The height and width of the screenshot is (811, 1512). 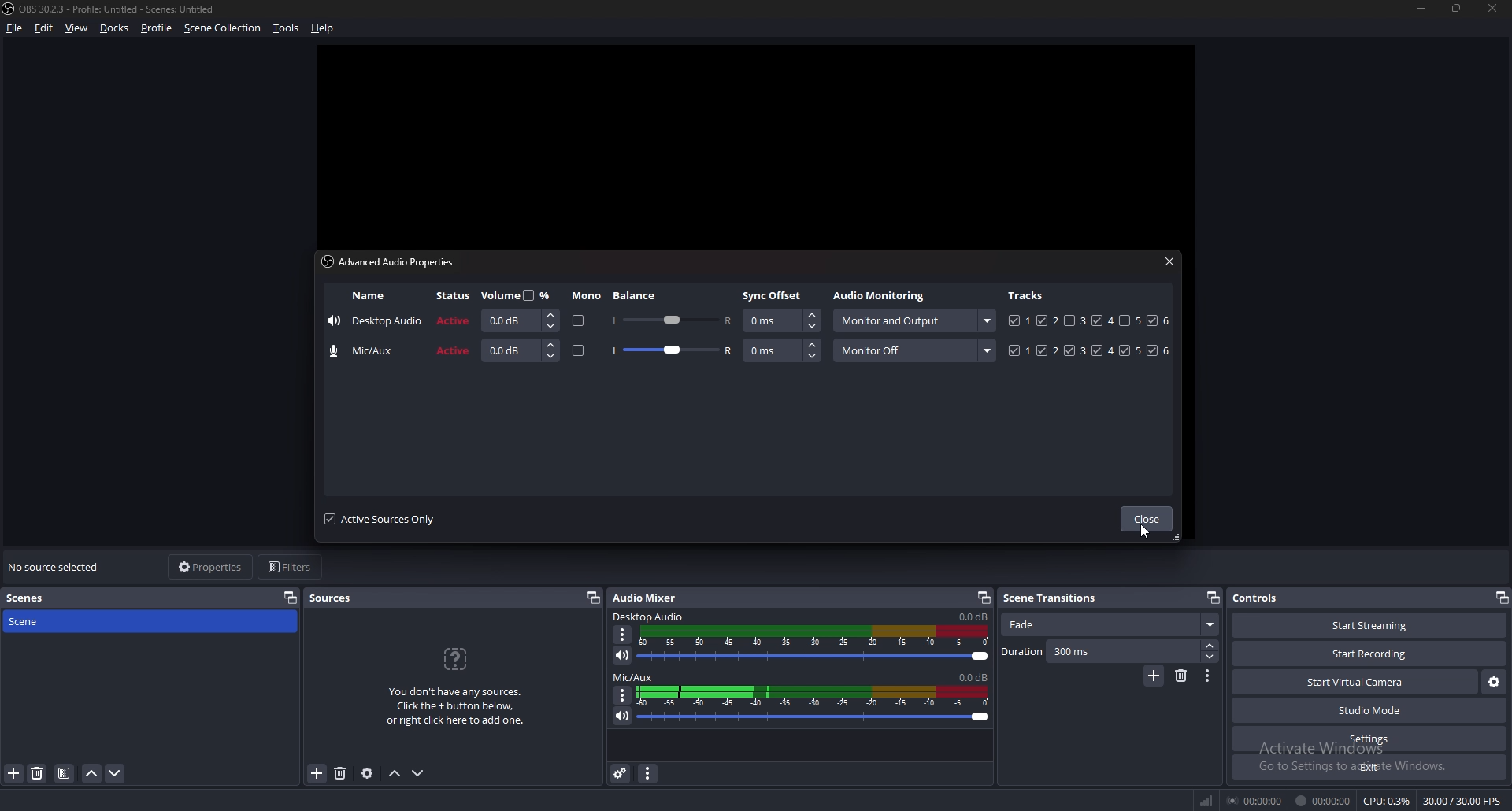 What do you see at coordinates (419, 773) in the screenshot?
I see `move sources down` at bounding box center [419, 773].